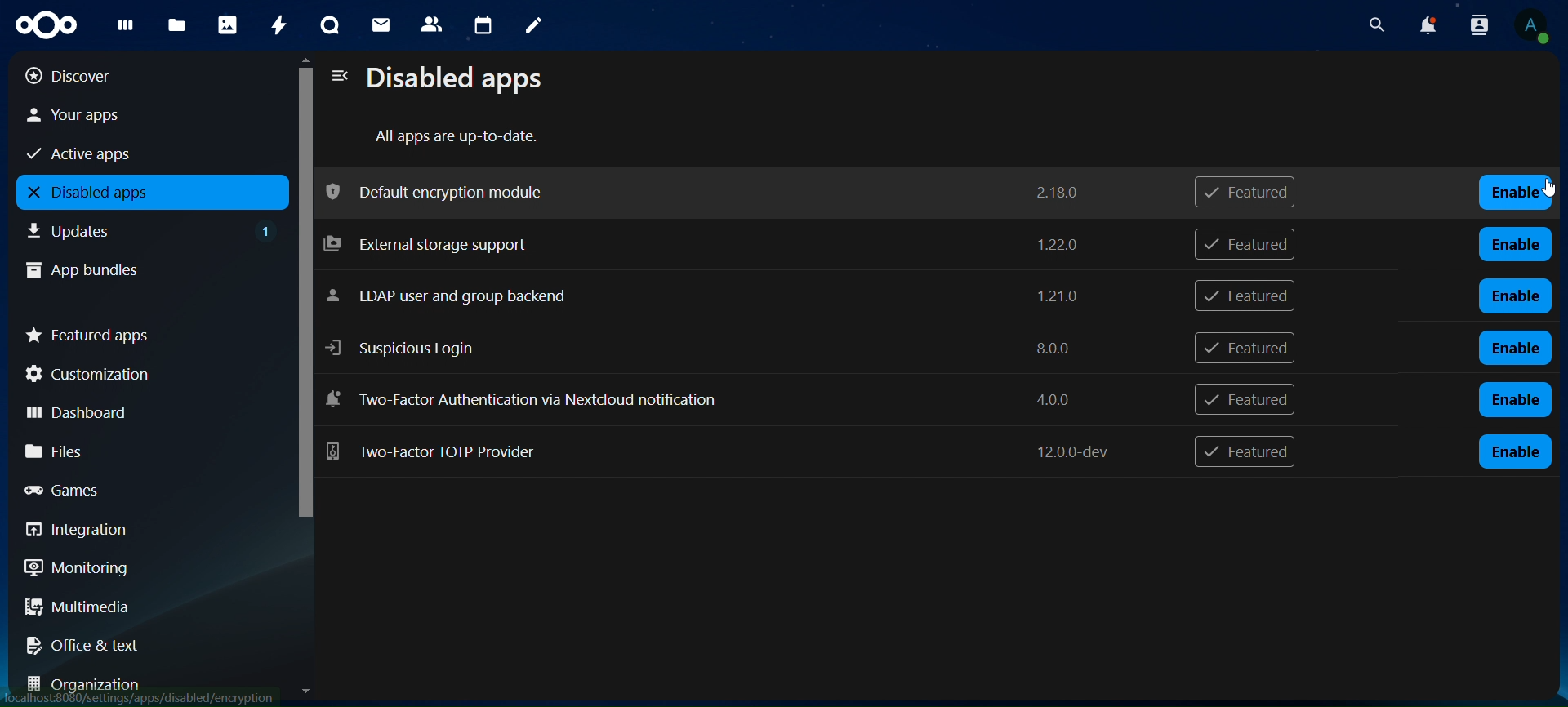  Describe the element at coordinates (227, 24) in the screenshot. I see `photos` at that location.